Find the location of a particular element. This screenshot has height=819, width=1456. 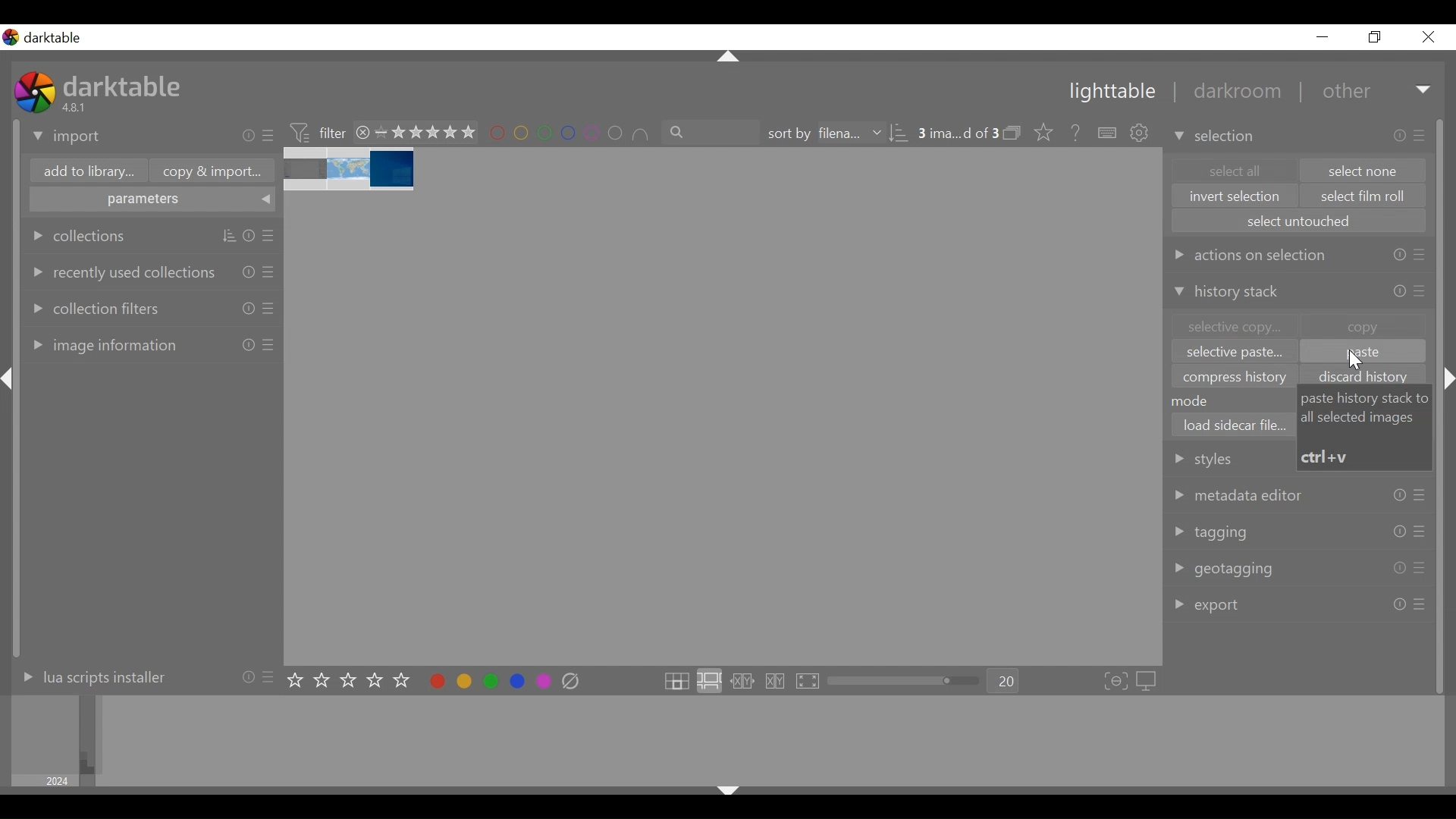

click to enter zoomable lighttable layout is located at coordinates (708, 682).